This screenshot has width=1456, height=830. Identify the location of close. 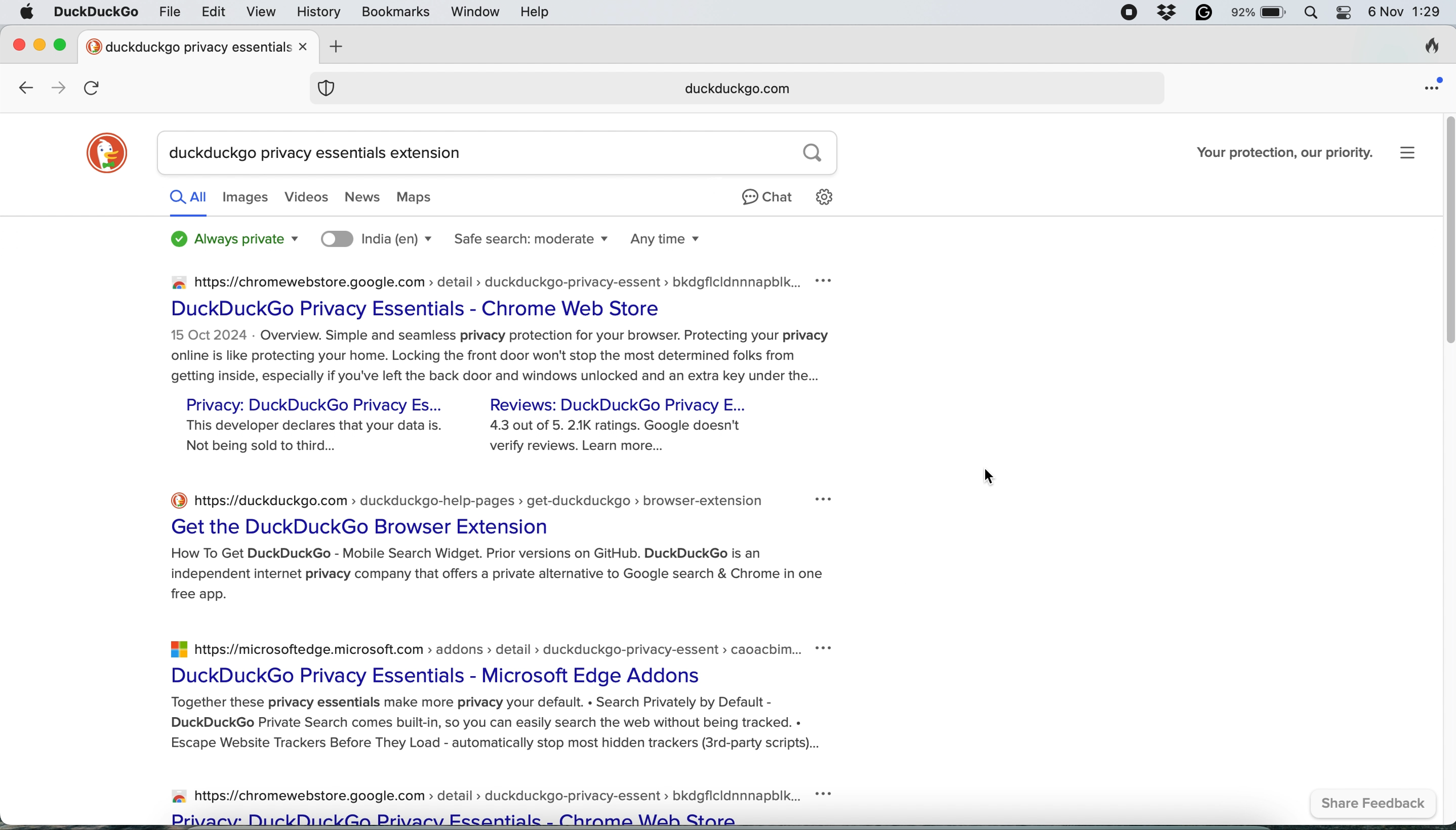
(306, 46).